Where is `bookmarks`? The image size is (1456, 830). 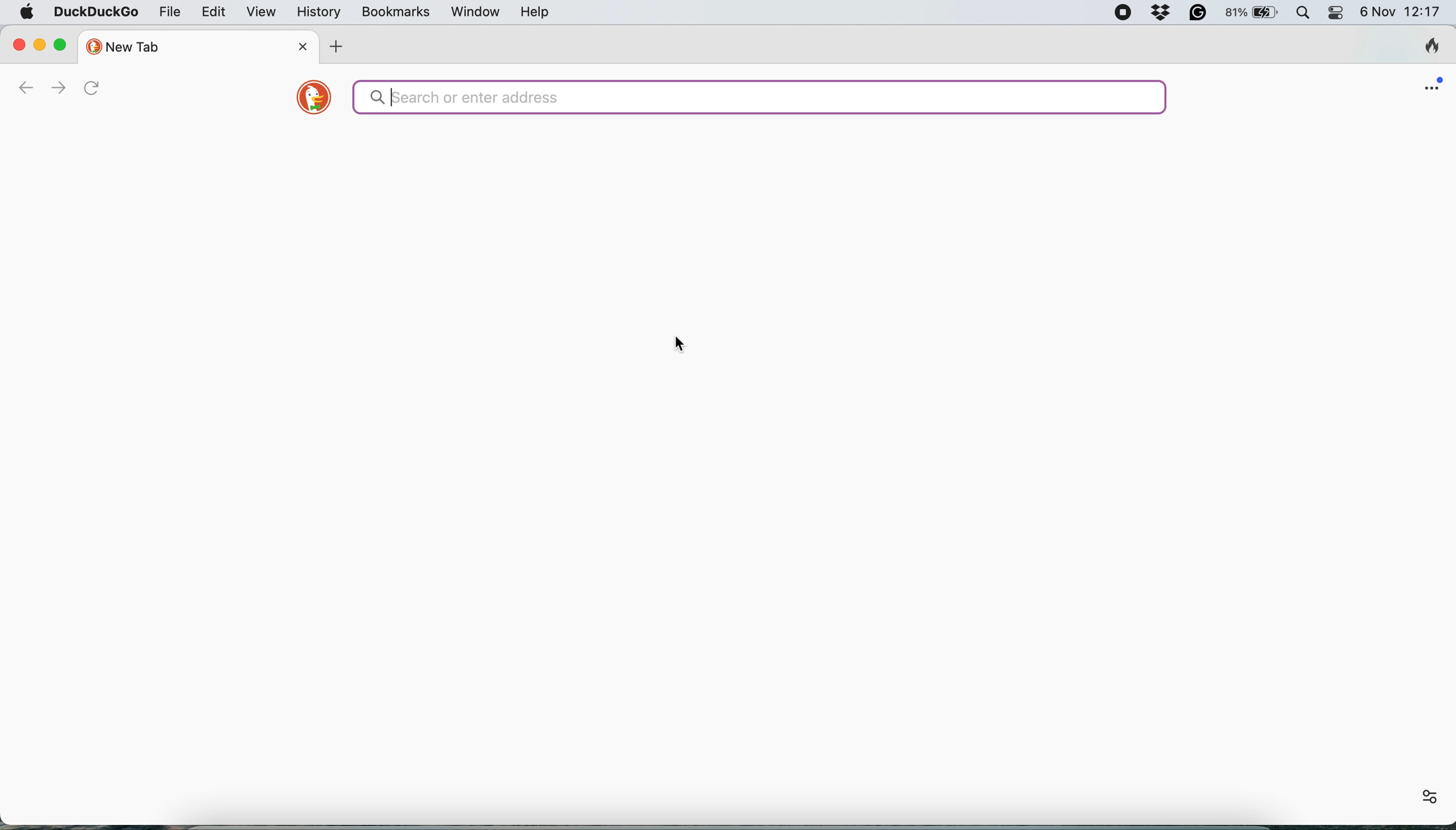 bookmarks is located at coordinates (394, 11).